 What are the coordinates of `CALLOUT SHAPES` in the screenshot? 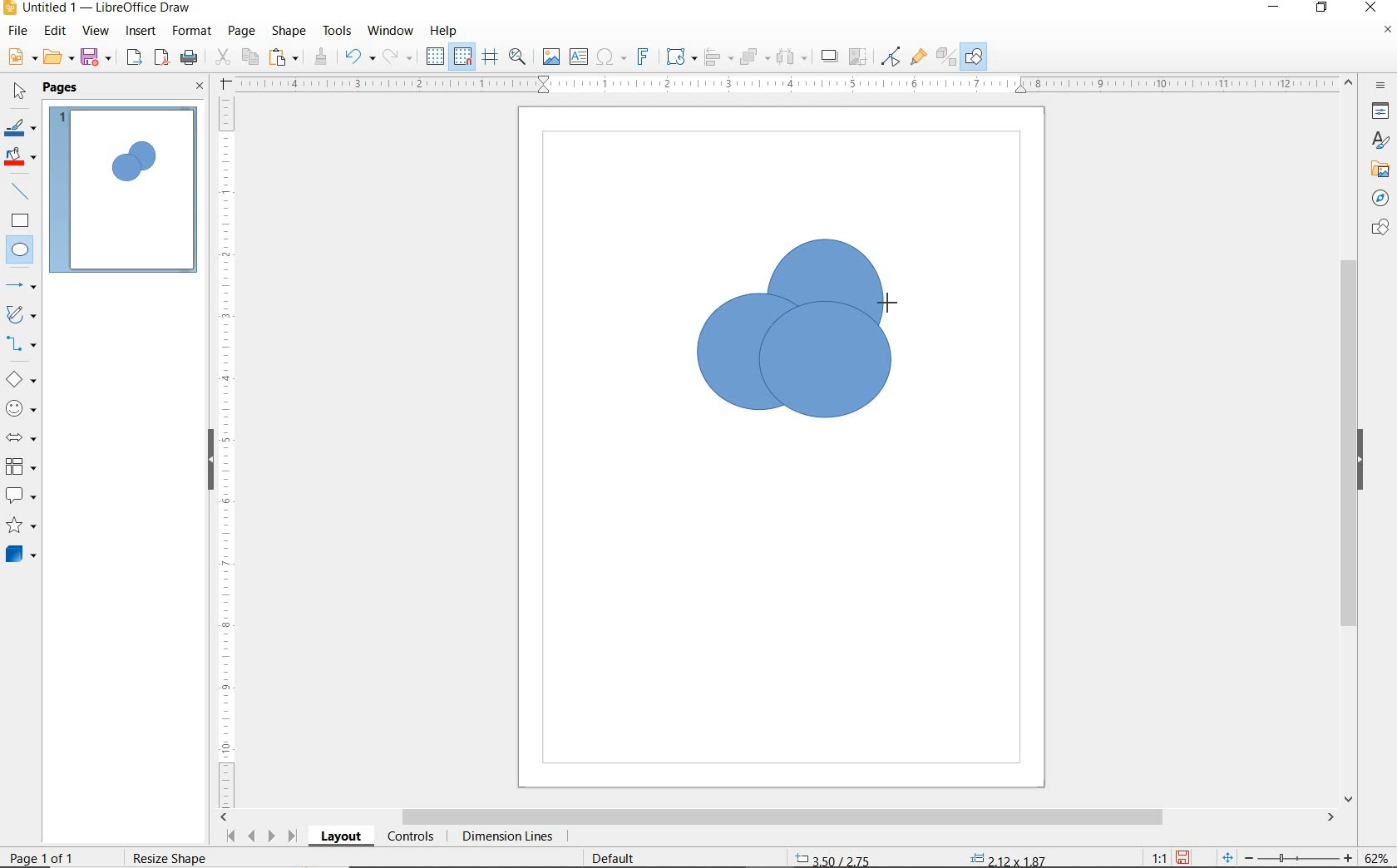 It's located at (20, 496).